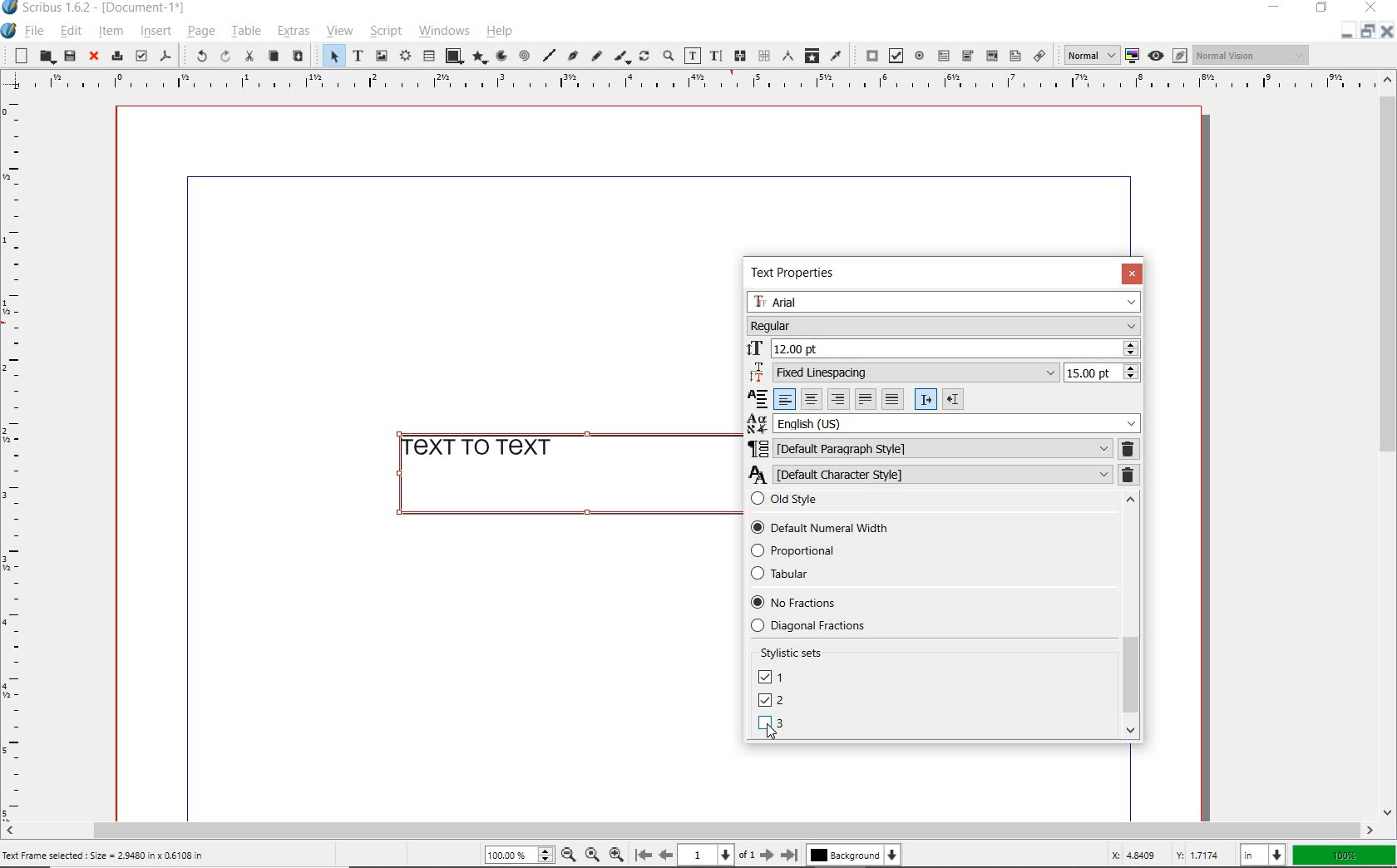 This screenshot has height=868, width=1397. I want to click on scrollbar, so click(1387, 445).